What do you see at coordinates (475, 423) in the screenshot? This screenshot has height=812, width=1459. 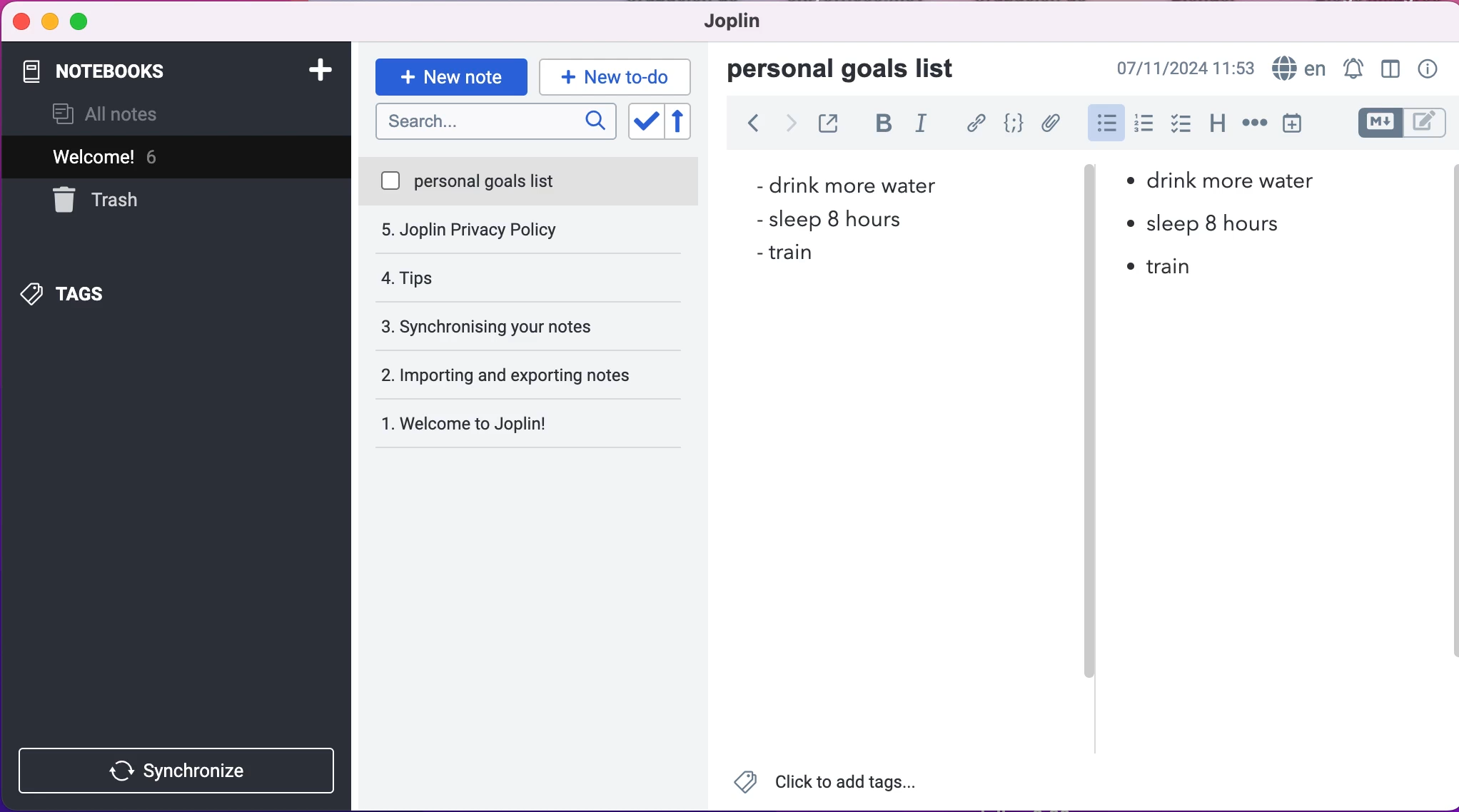 I see `Welcome to Joplin!` at bounding box center [475, 423].